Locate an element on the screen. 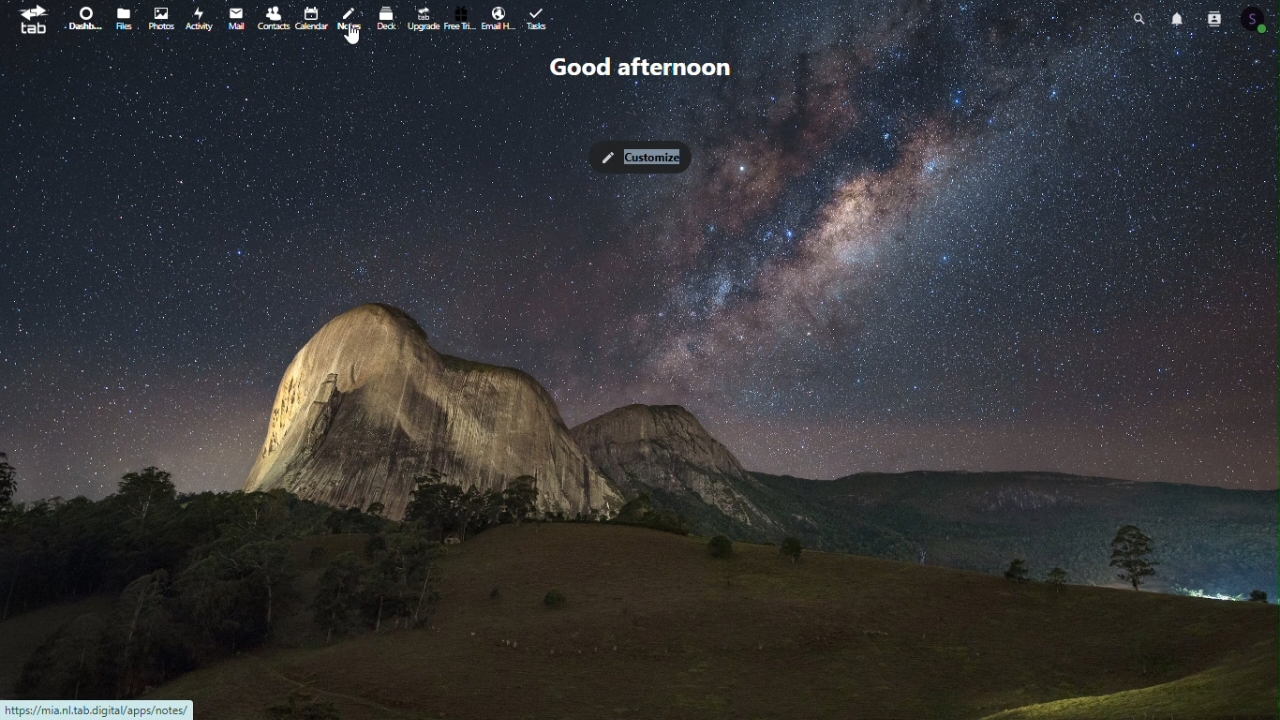 This screenshot has width=1280, height=720. tab  is located at coordinates (26, 18).